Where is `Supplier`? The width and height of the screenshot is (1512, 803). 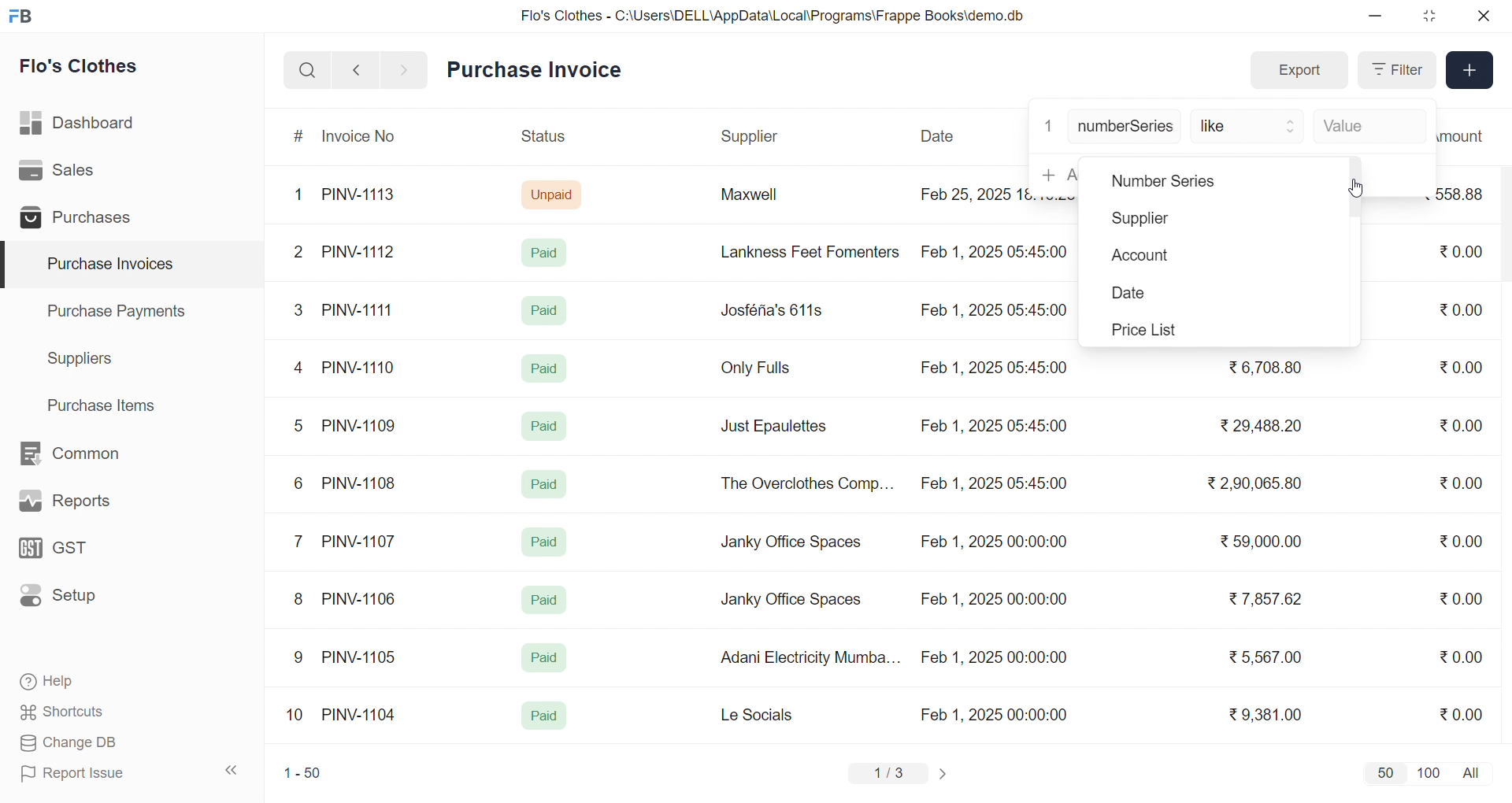
Supplier is located at coordinates (752, 137).